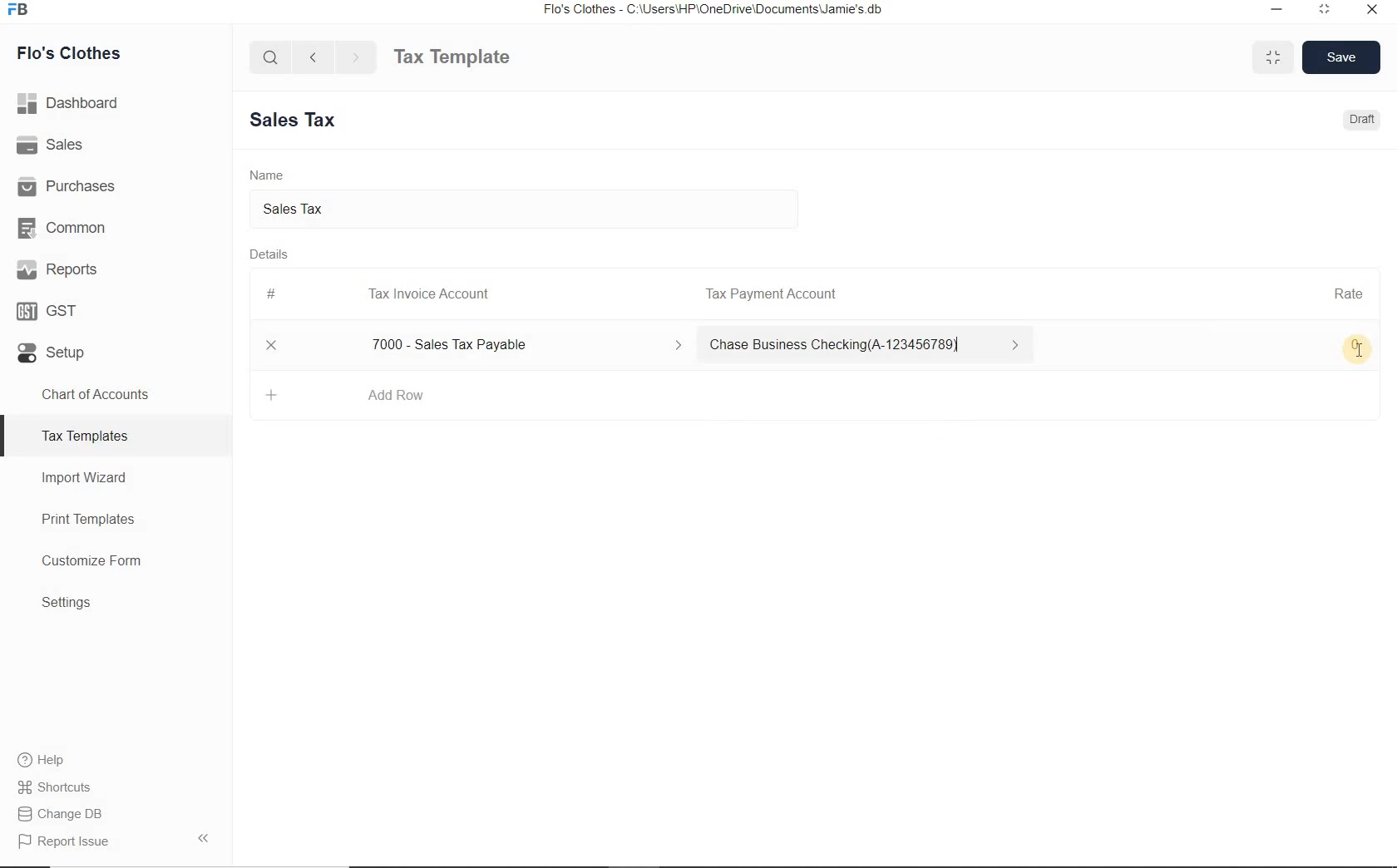  I want to click on Shortcuts, so click(116, 787).